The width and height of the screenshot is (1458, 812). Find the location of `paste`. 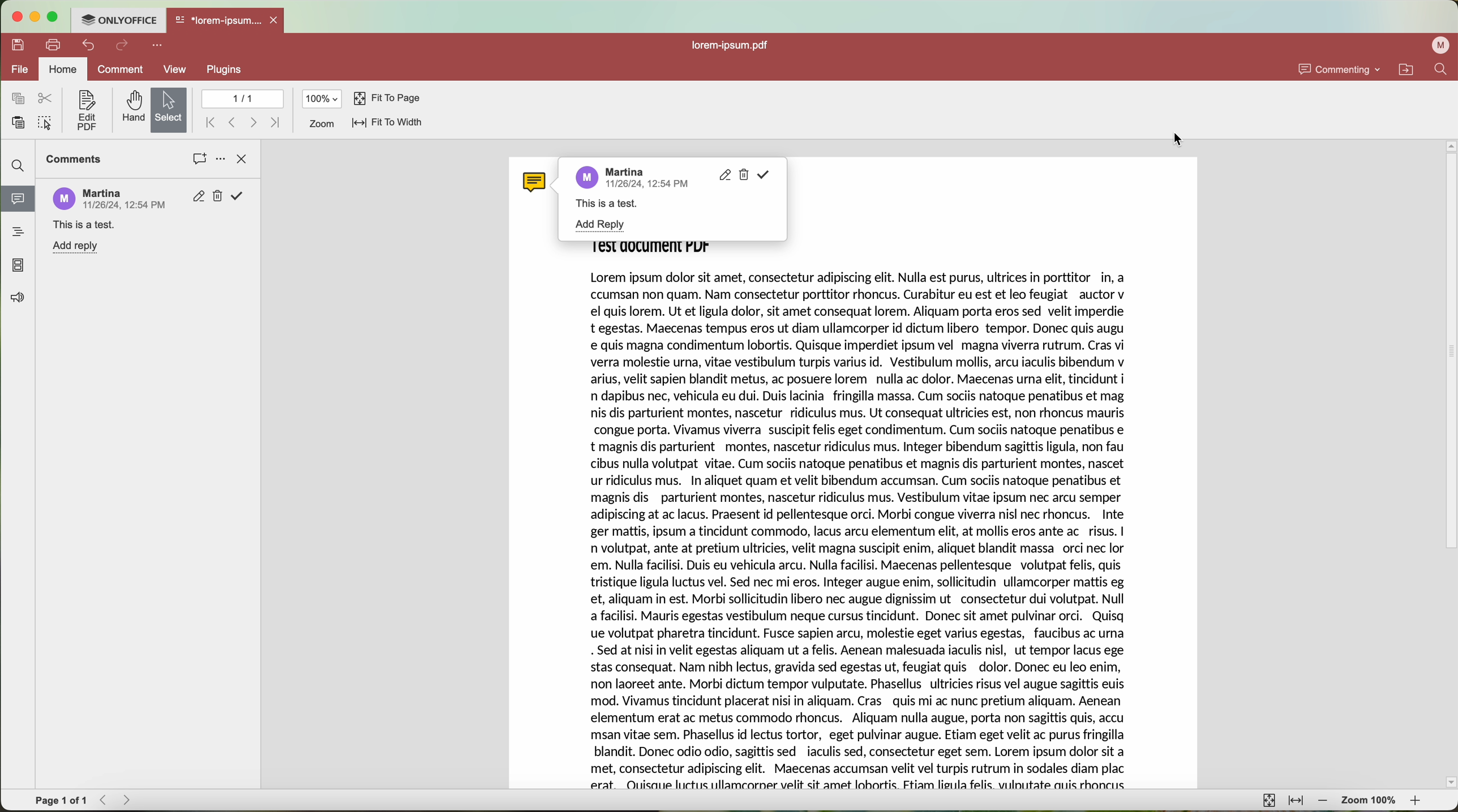

paste is located at coordinates (19, 122).